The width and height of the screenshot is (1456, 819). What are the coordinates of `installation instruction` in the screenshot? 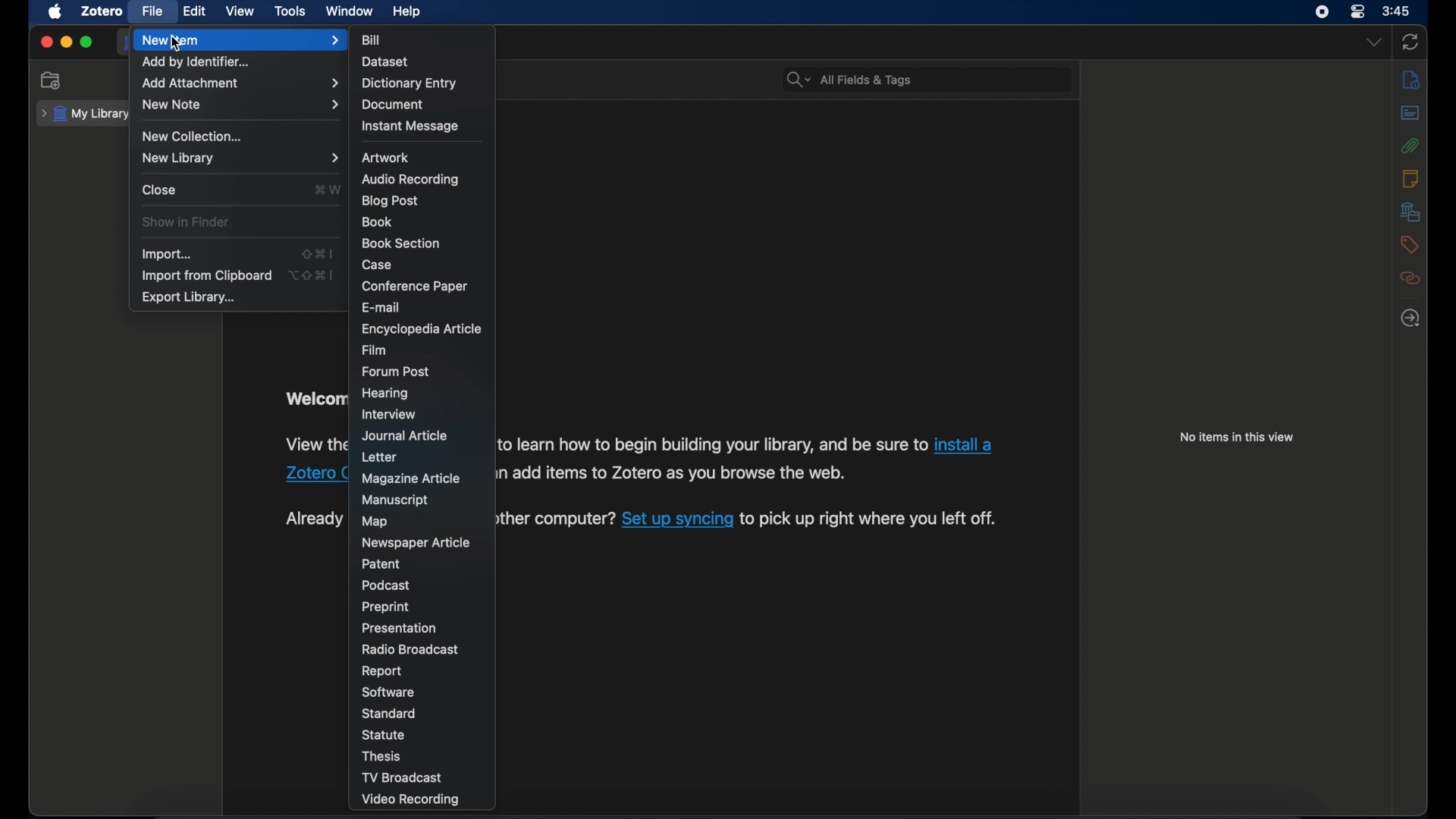 It's located at (745, 459).